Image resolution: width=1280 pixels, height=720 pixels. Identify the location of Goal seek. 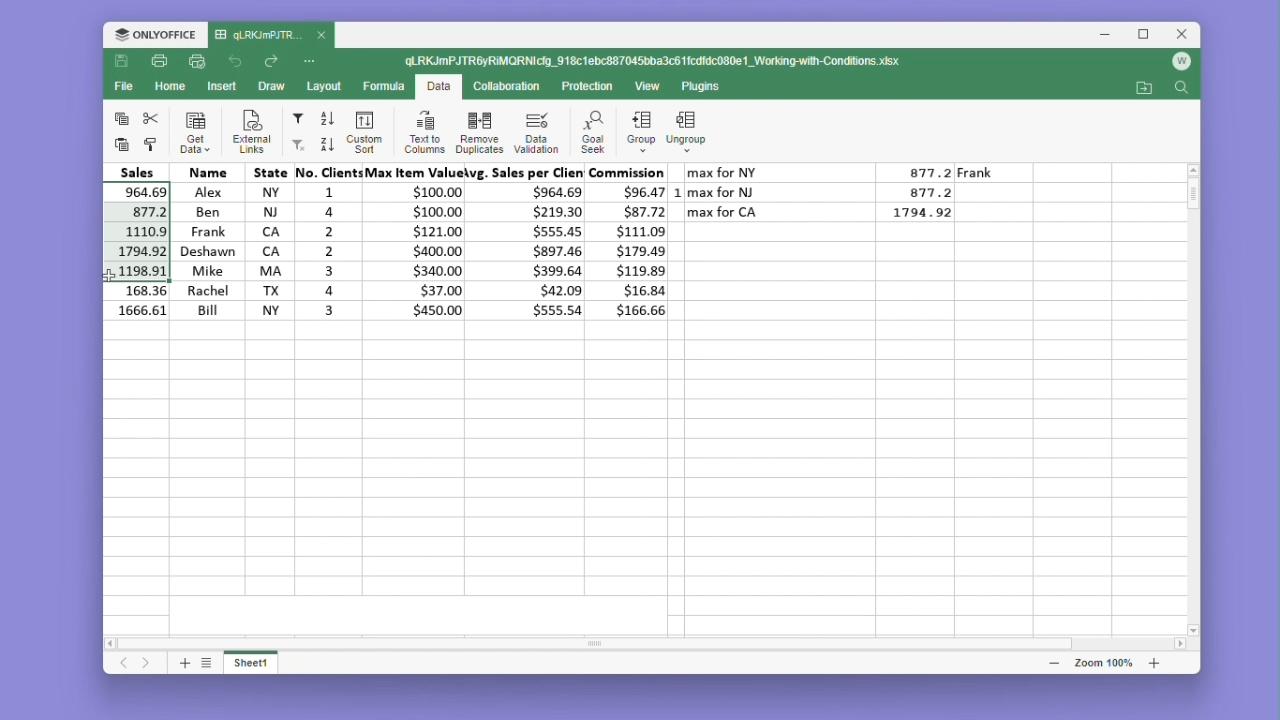
(591, 132).